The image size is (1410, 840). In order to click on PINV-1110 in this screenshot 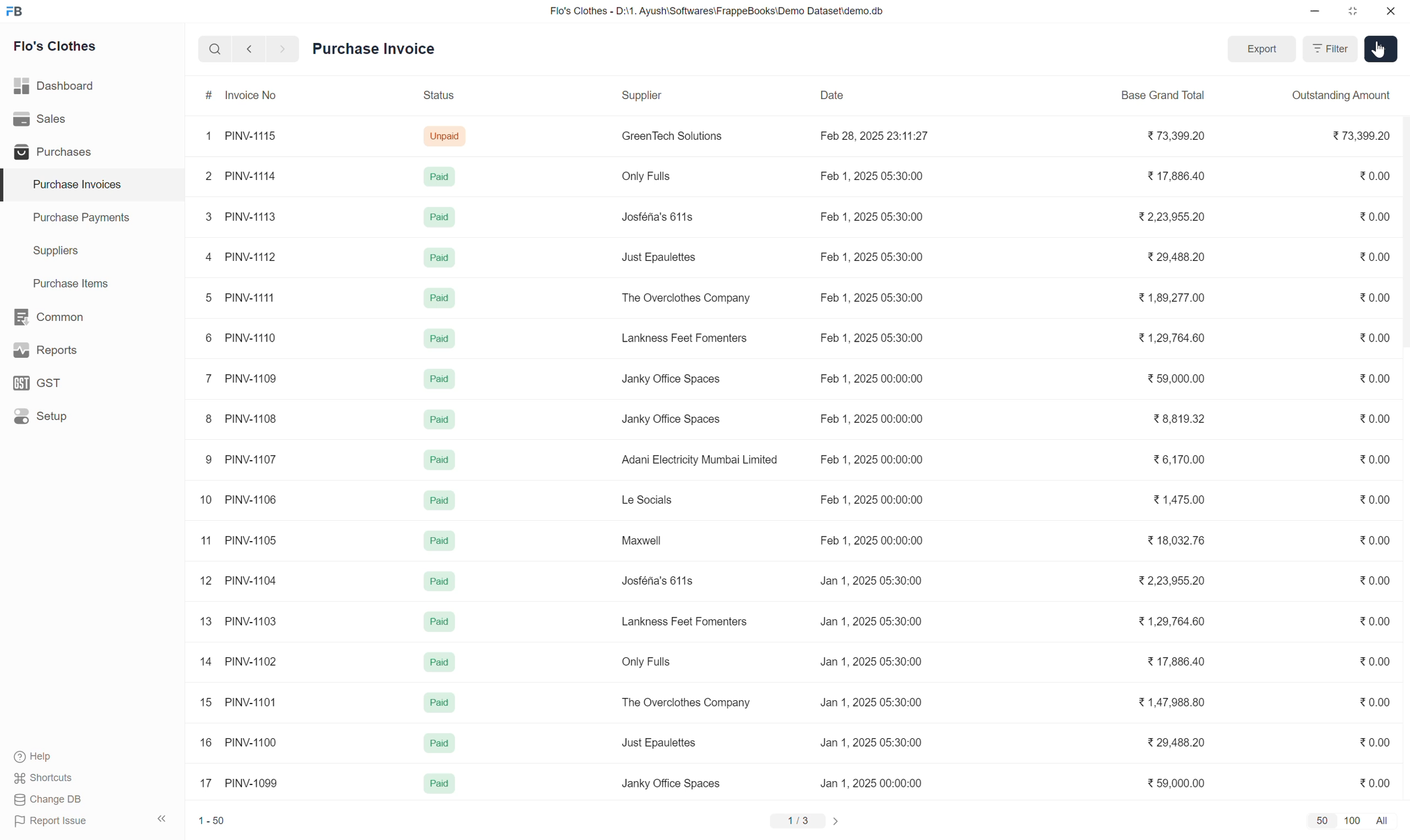, I will do `click(251, 340)`.